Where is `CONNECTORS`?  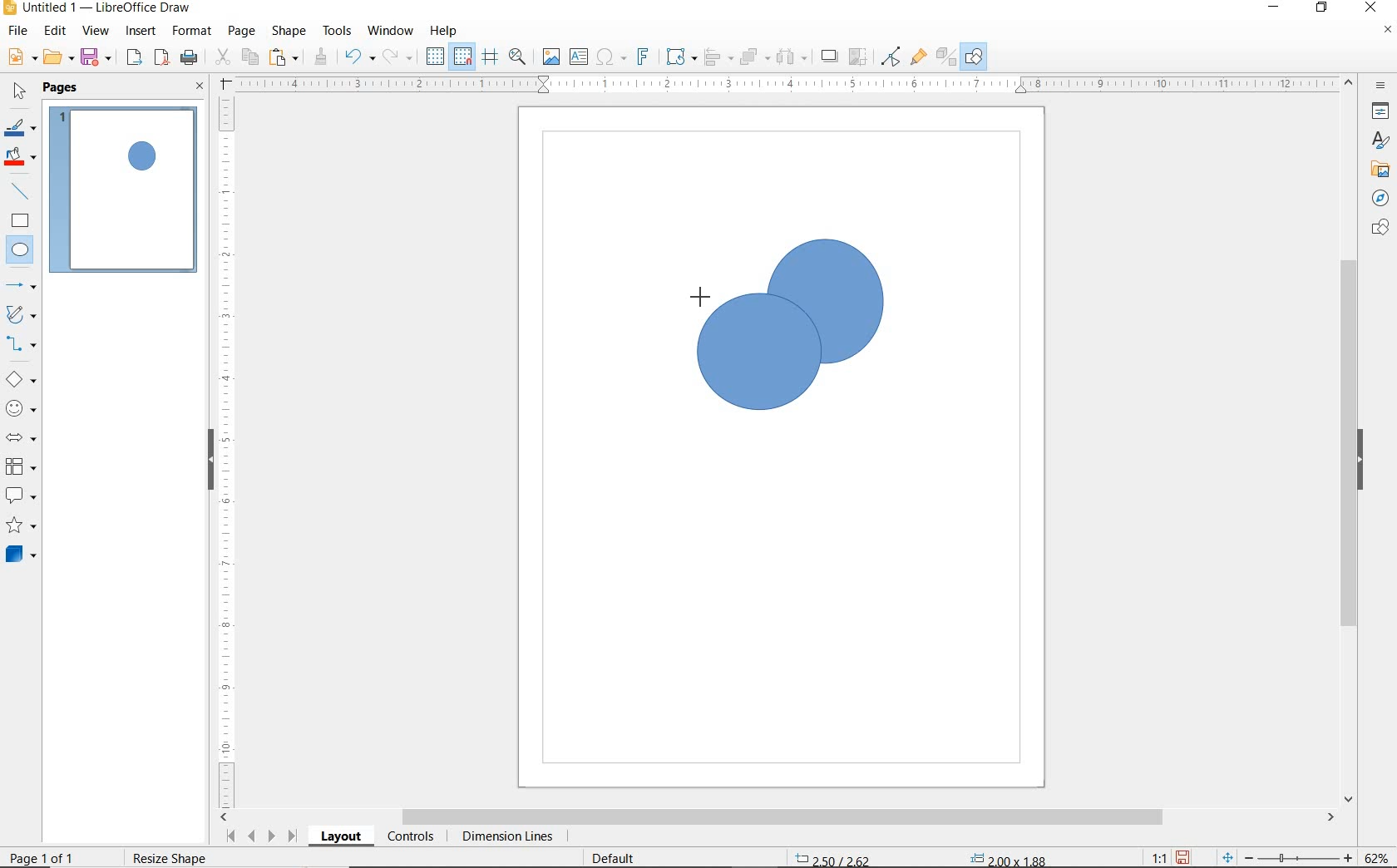
CONNECTORS is located at coordinates (22, 344).